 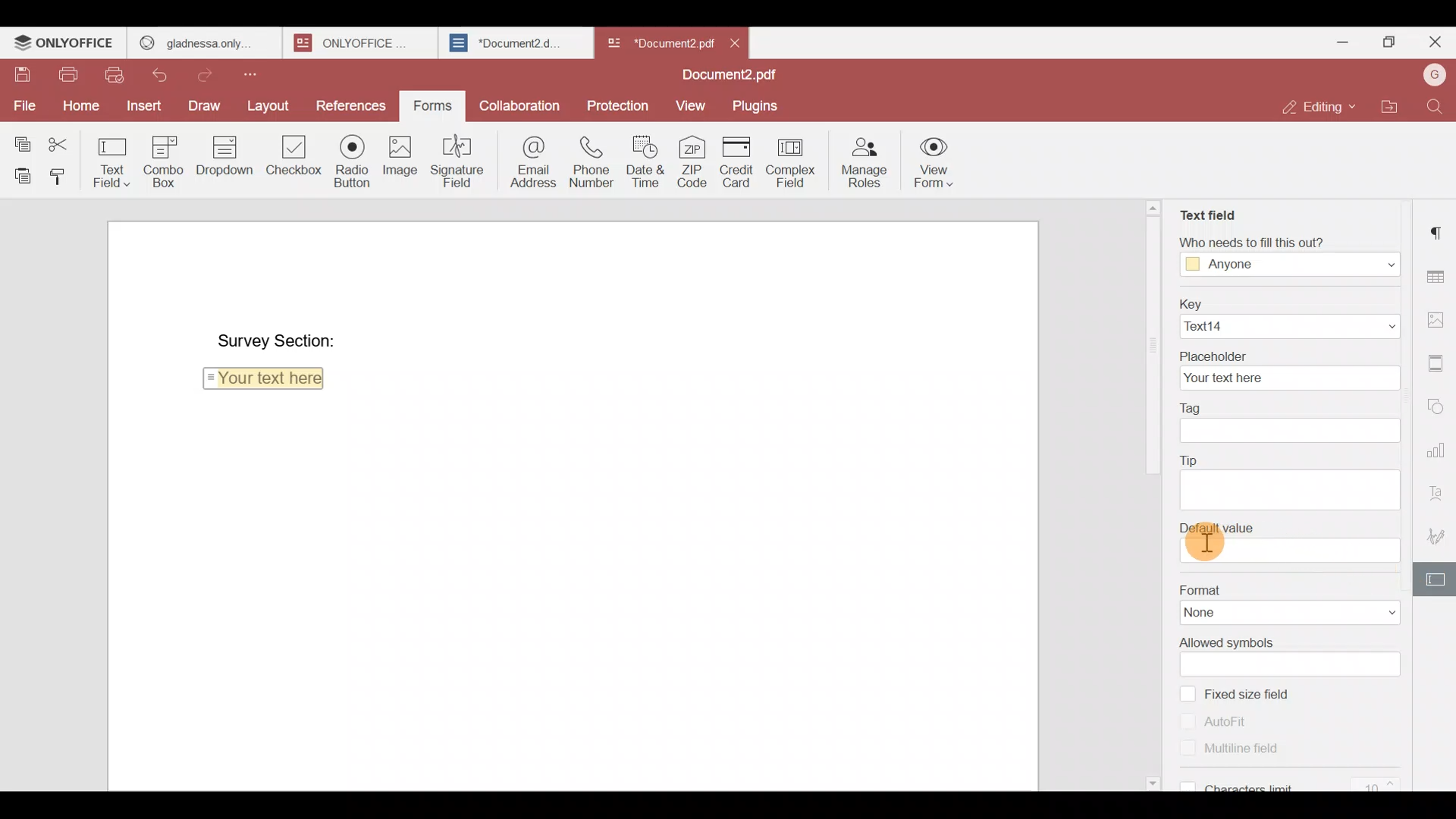 What do you see at coordinates (1437, 580) in the screenshot?
I see `Form settings` at bounding box center [1437, 580].